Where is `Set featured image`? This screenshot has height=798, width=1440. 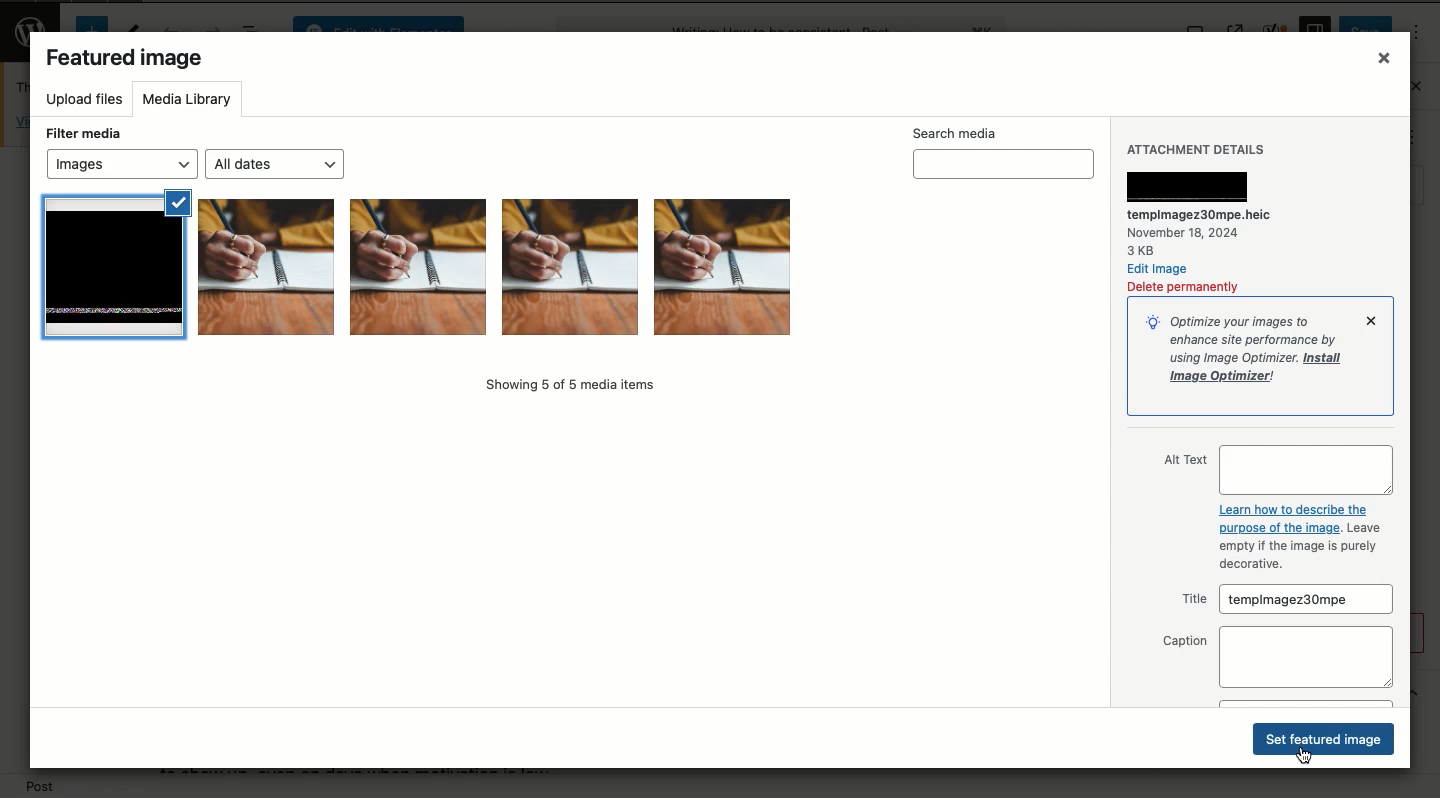 Set featured image is located at coordinates (1323, 738).